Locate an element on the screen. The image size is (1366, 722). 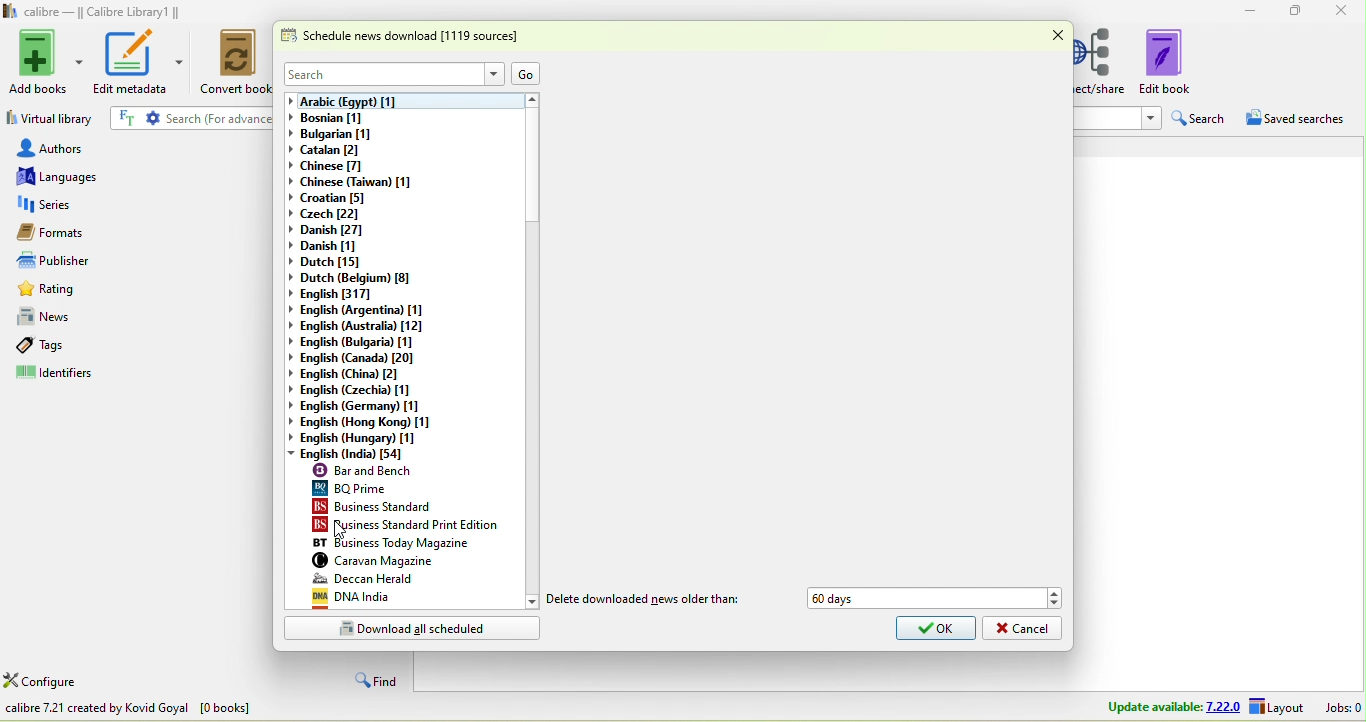
search is located at coordinates (378, 73).